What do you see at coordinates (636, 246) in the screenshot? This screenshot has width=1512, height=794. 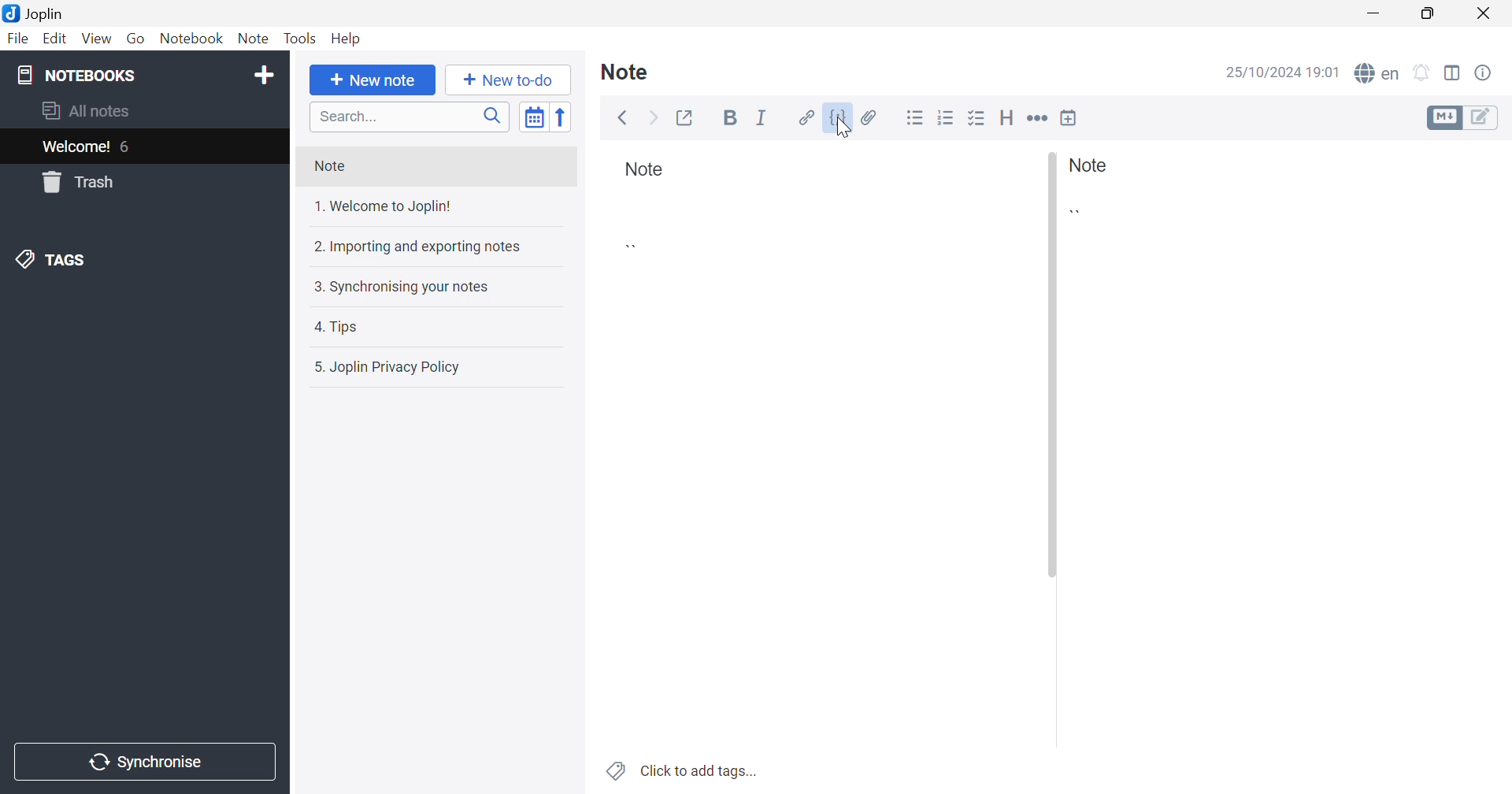 I see `Code block` at bounding box center [636, 246].